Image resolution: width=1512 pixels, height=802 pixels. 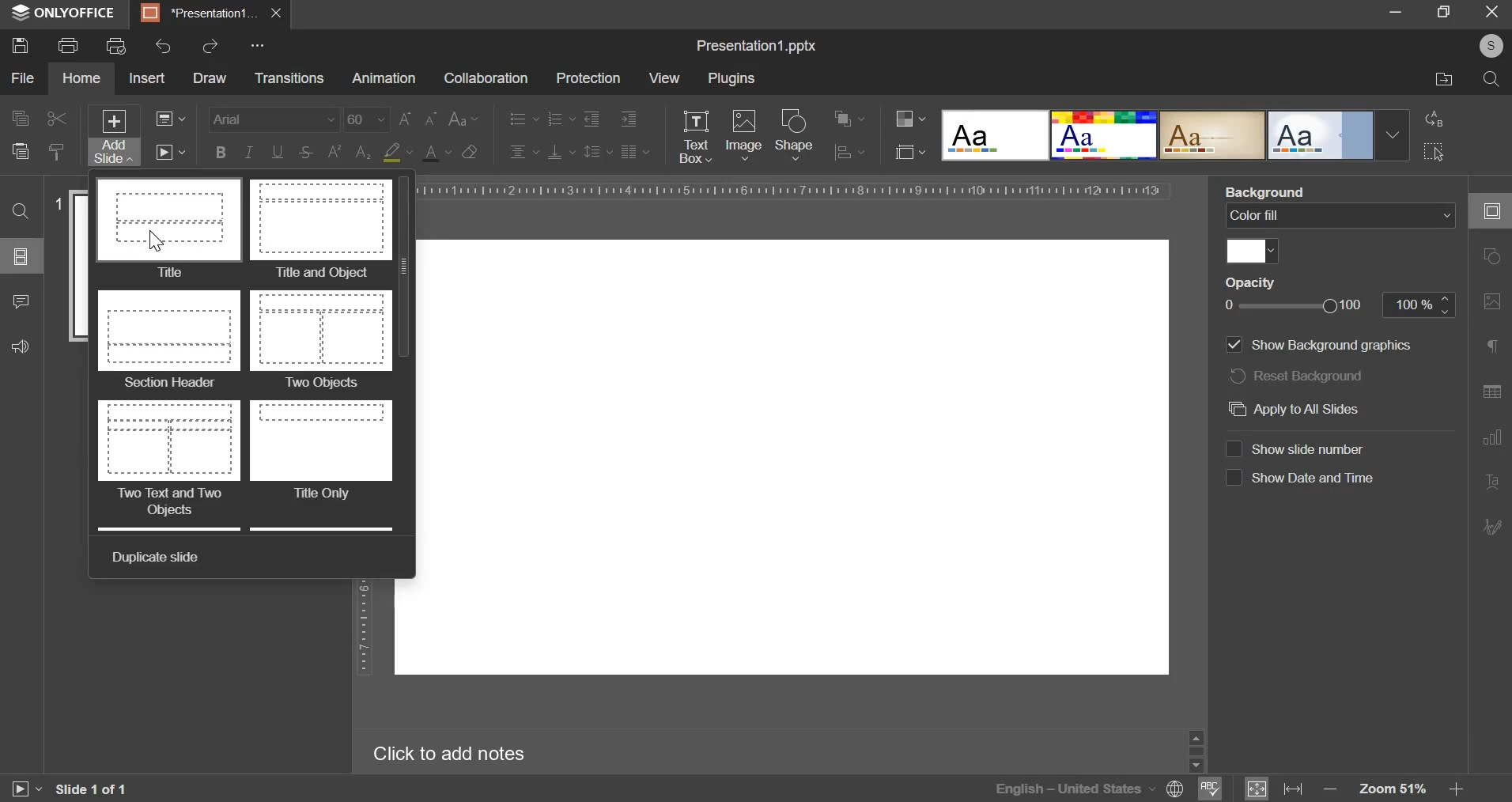 I want to click on underline, so click(x=277, y=150).